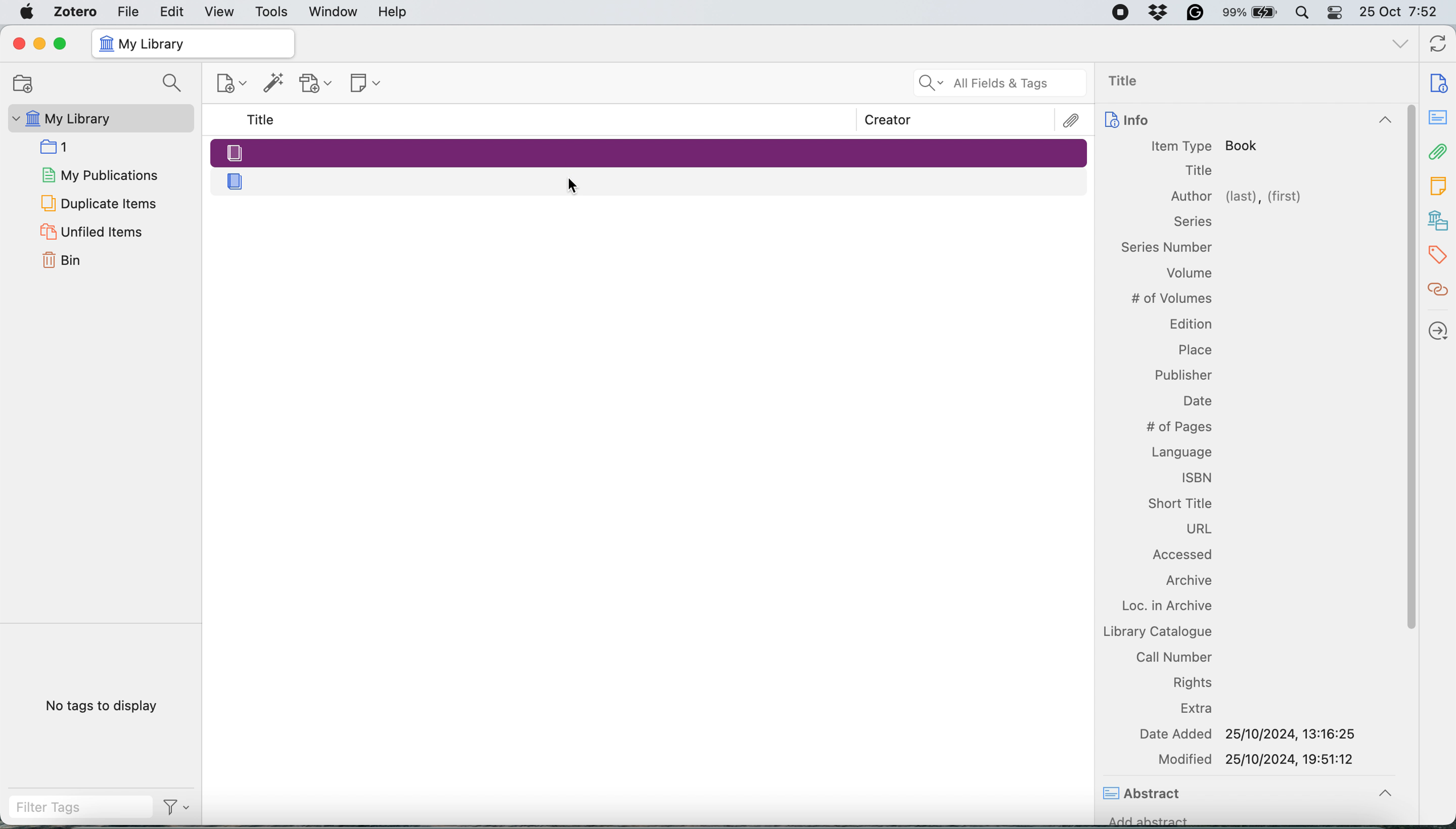 The width and height of the screenshot is (1456, 829). I want to click on Author (last), (first), so click(1237, 197).